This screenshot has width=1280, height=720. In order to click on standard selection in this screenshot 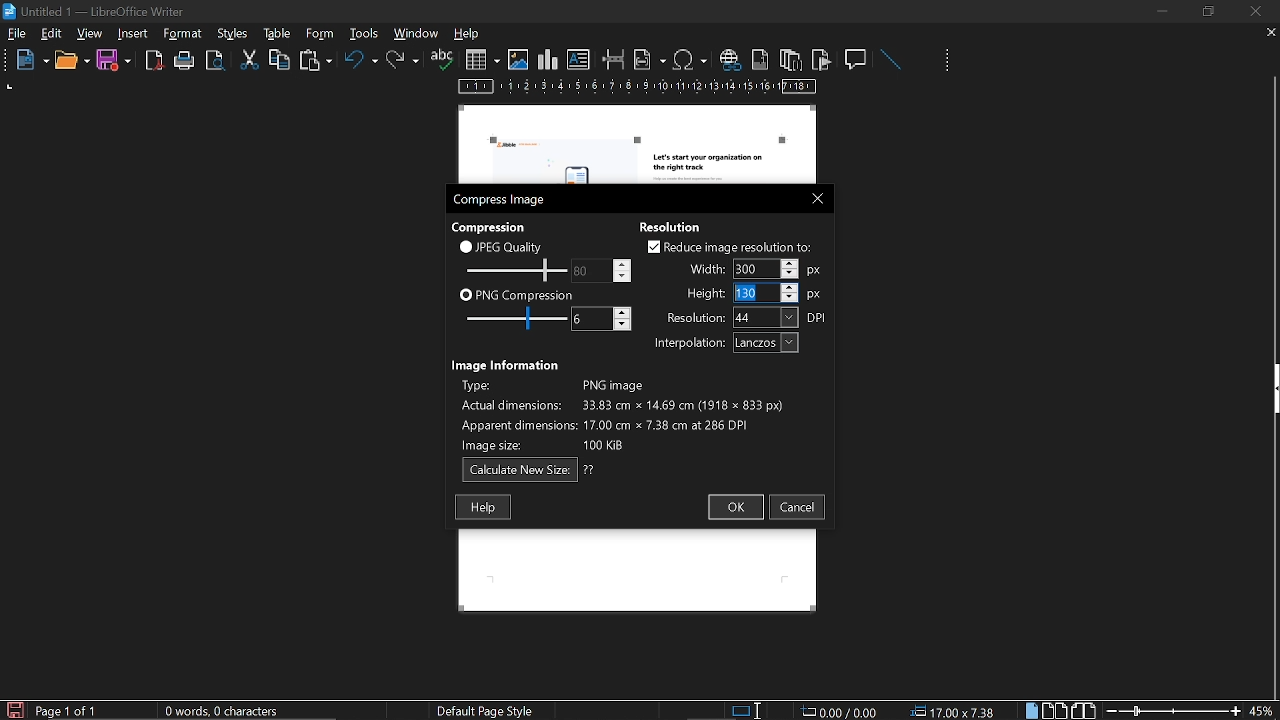, I will do `click(748, 710)`.